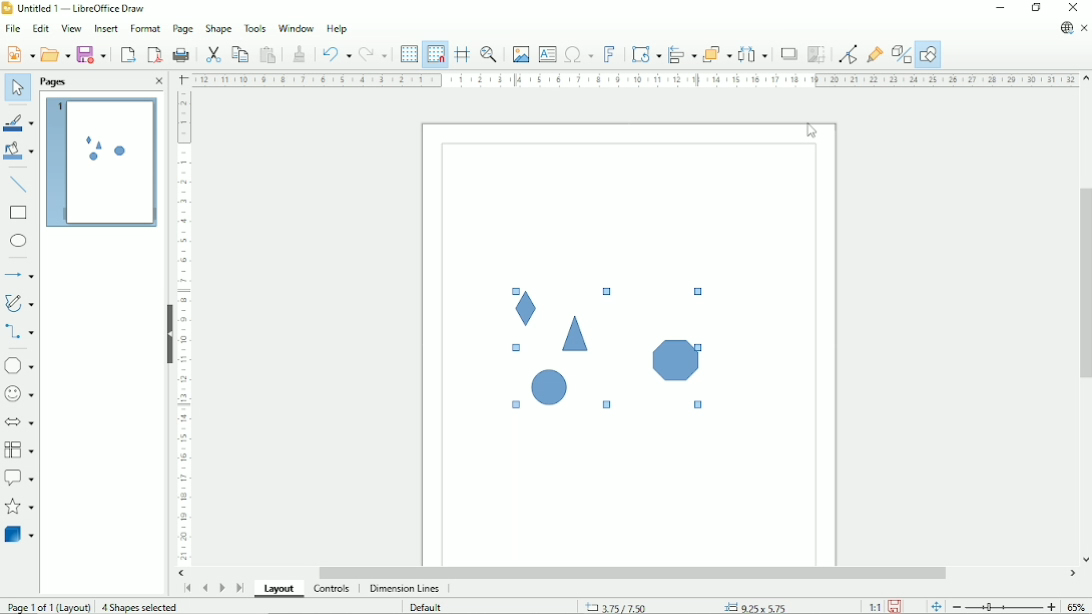  I want to click on Basic shapes, so click(22, 365).